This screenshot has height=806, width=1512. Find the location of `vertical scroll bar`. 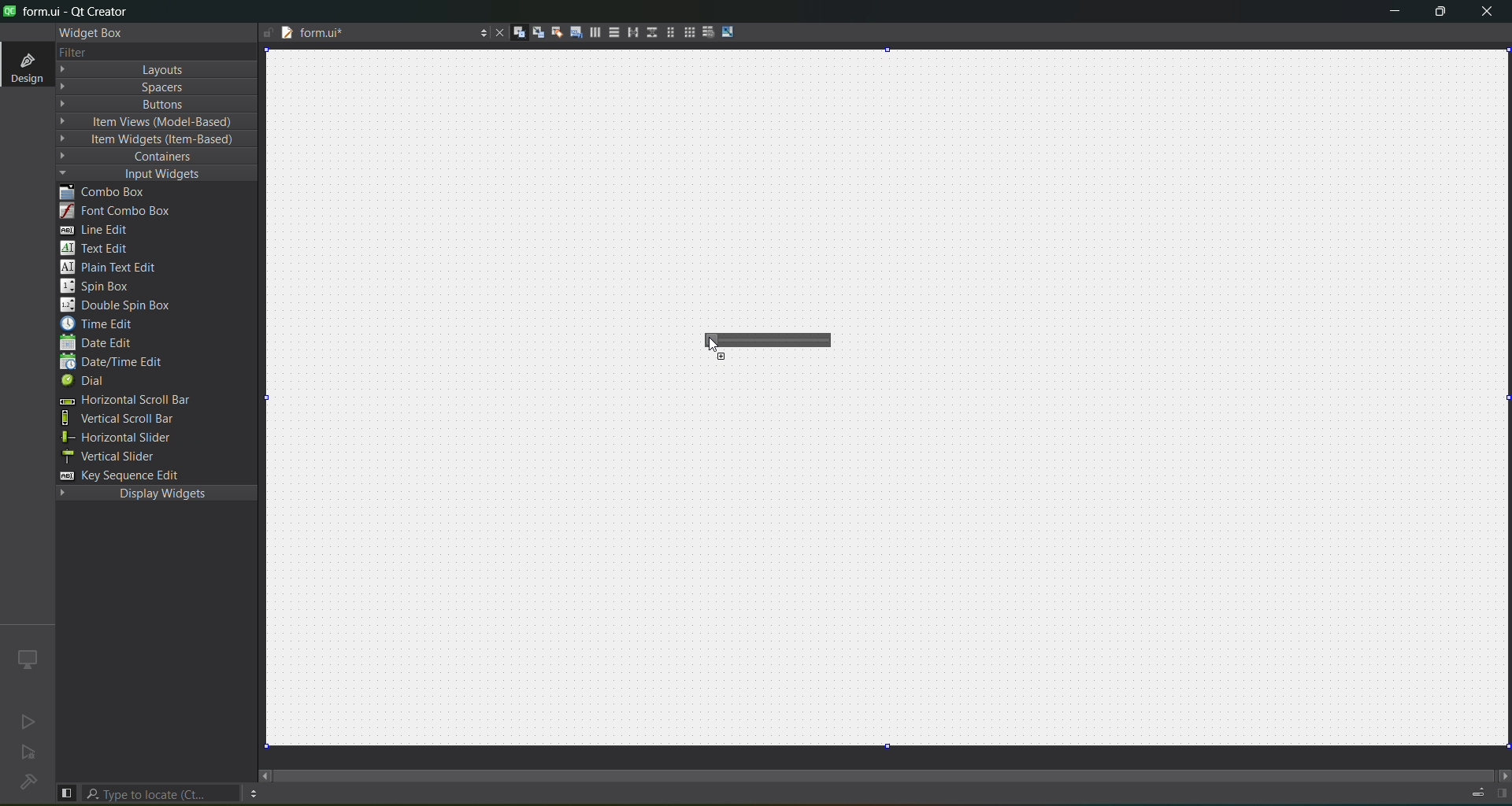

vertical scroll bar is located at coordinates (125, 421).